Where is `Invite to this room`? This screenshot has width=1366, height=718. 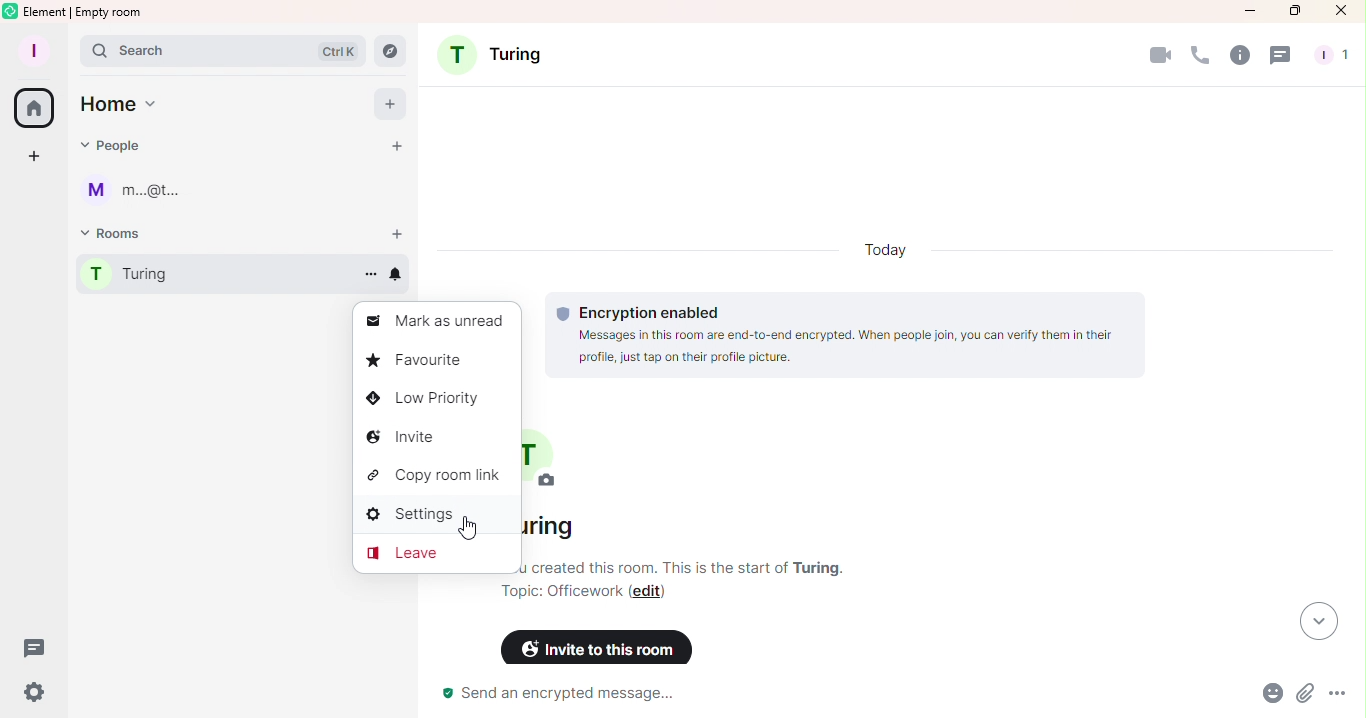 Invite to this room is located at coordinates (590, 647).